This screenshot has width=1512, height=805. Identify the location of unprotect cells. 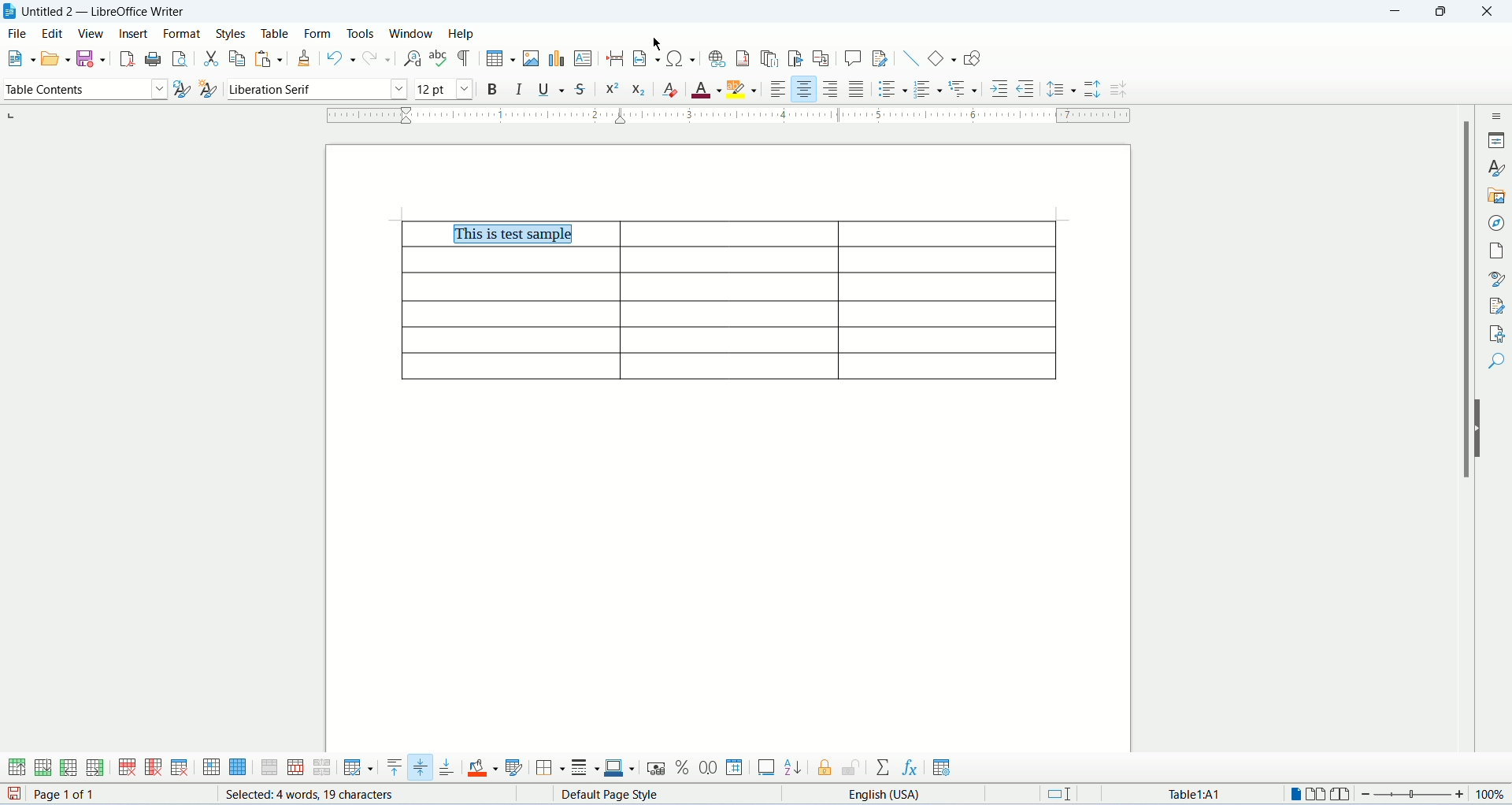
(850, 768).